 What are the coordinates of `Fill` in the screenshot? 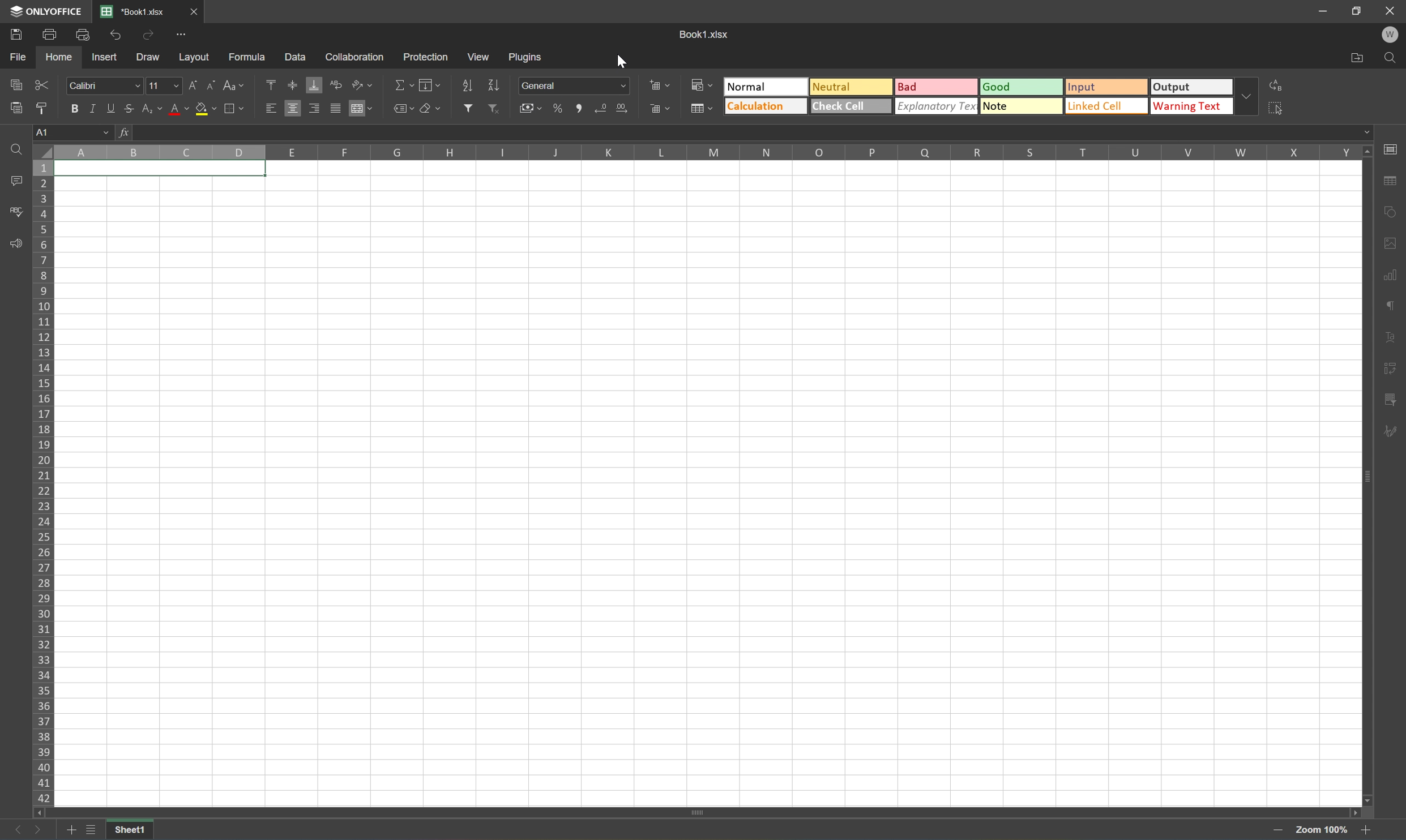 It's located at (429, 85).